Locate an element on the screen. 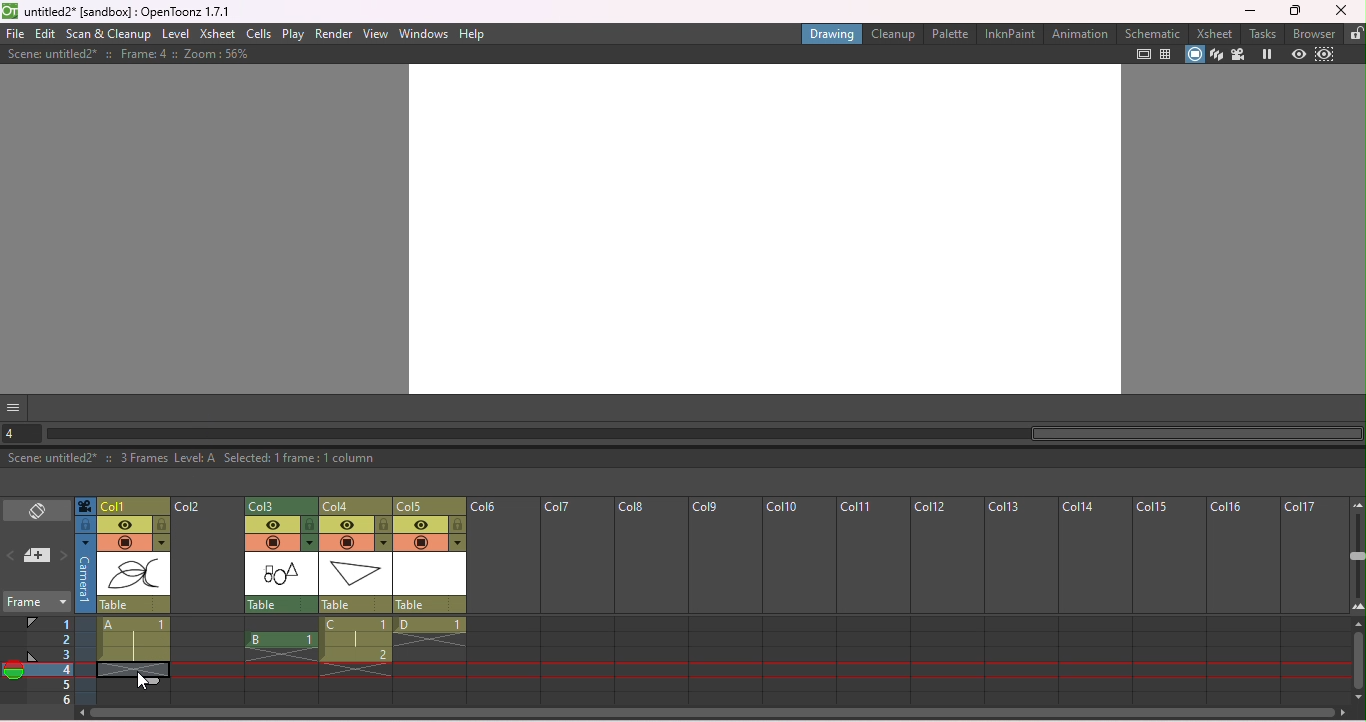 The width and height of the screenshot is (1366, 722). Schematic is located at coordinates (1153, 33).